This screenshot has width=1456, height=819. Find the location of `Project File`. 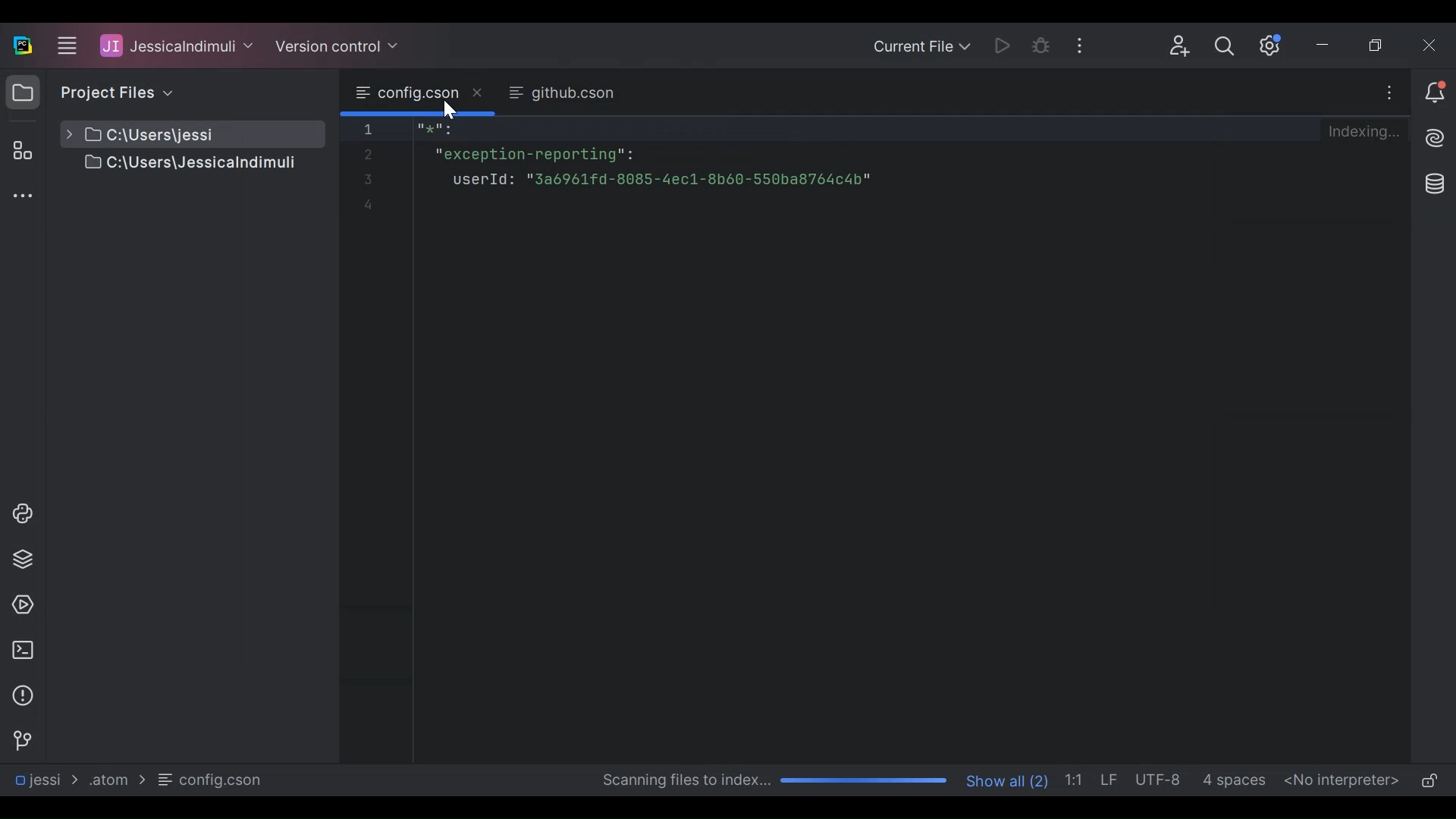

Project File is located at coordinates (174, 134).